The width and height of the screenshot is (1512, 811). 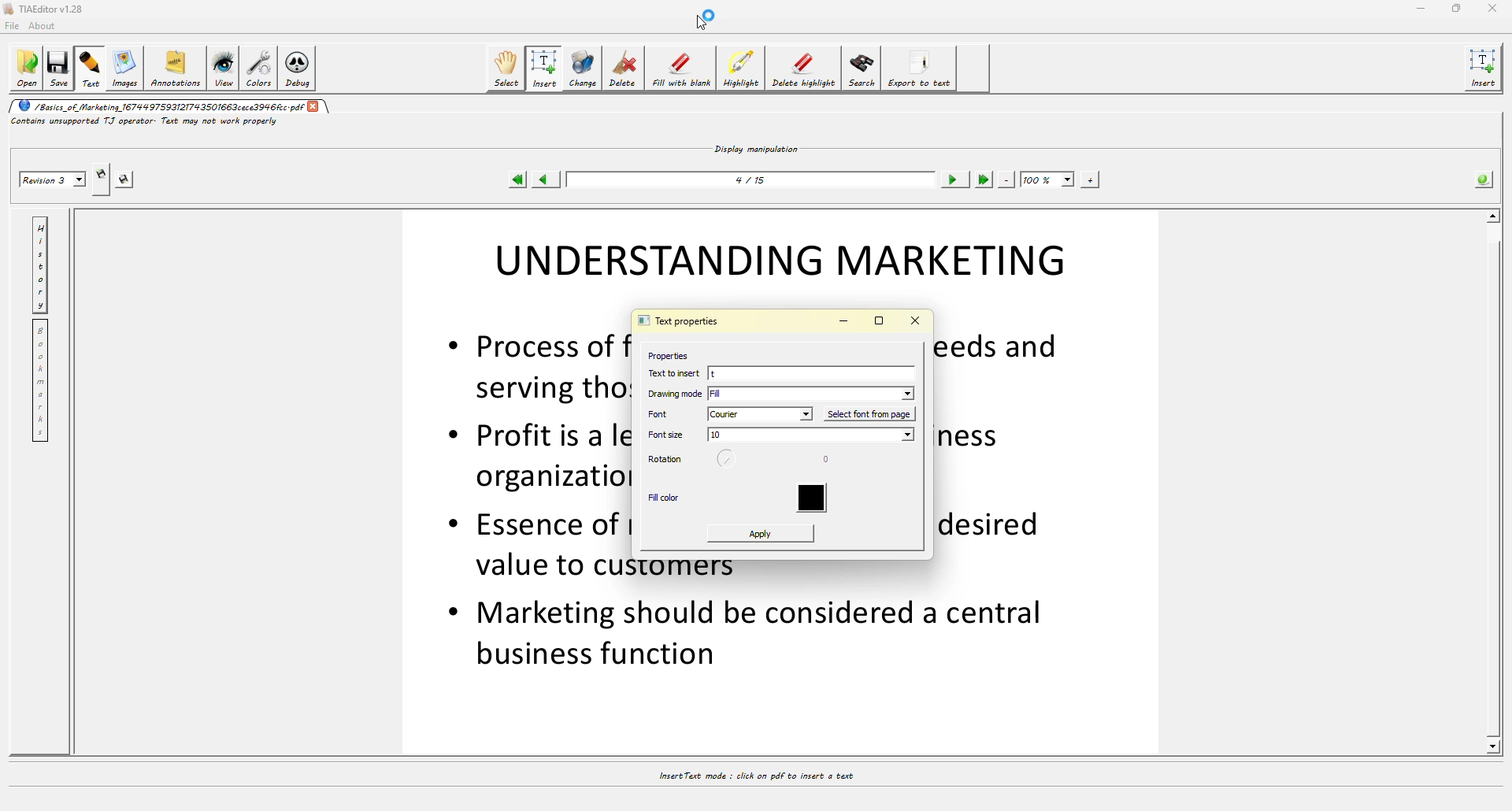 I want to click on maximize, so click(x=879, y=321).